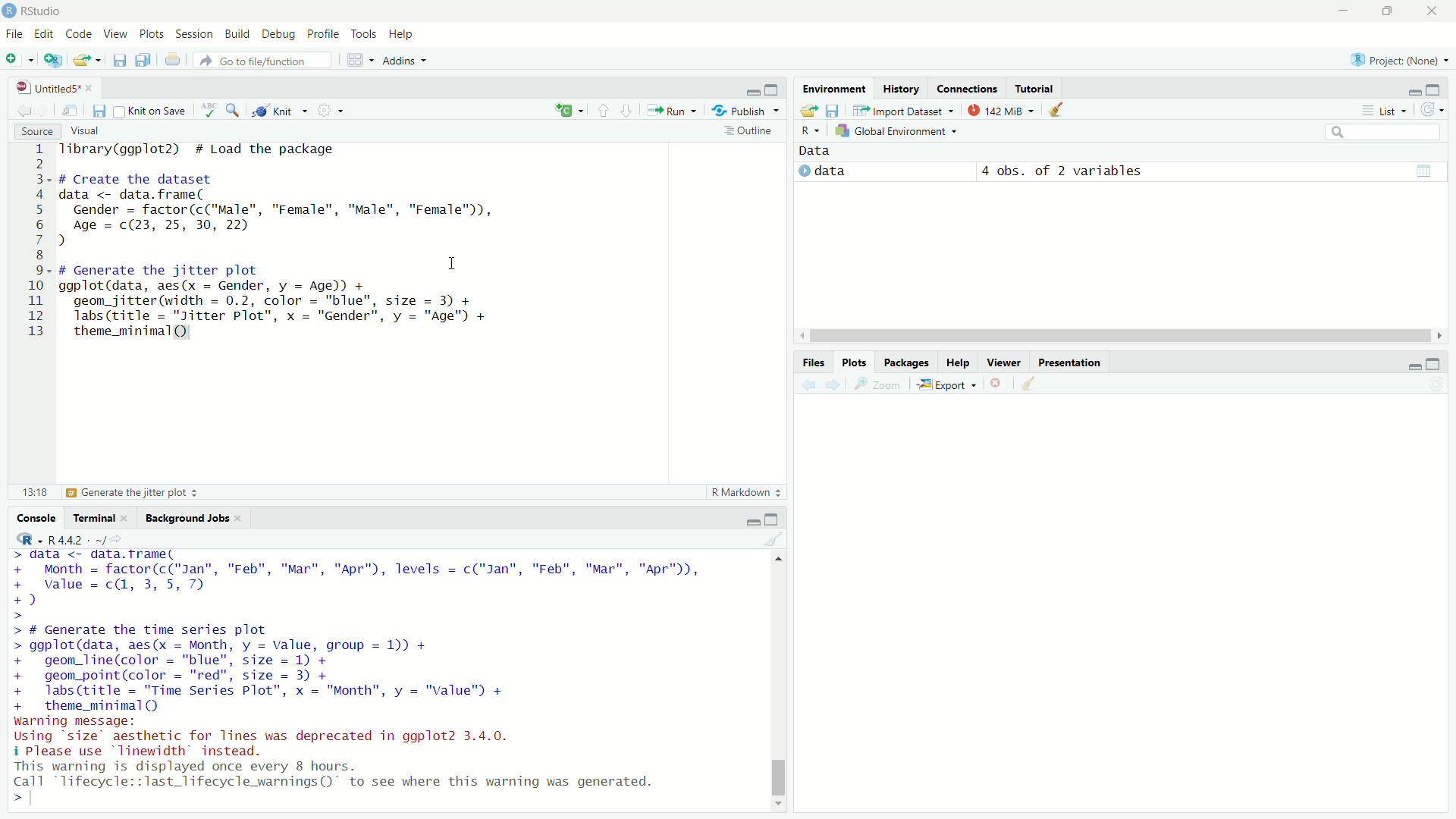  What do you see at coordinates (1062, 110) in the screenshot?
I see `clear objects from the workspace` at bounding box center [1062, 110].